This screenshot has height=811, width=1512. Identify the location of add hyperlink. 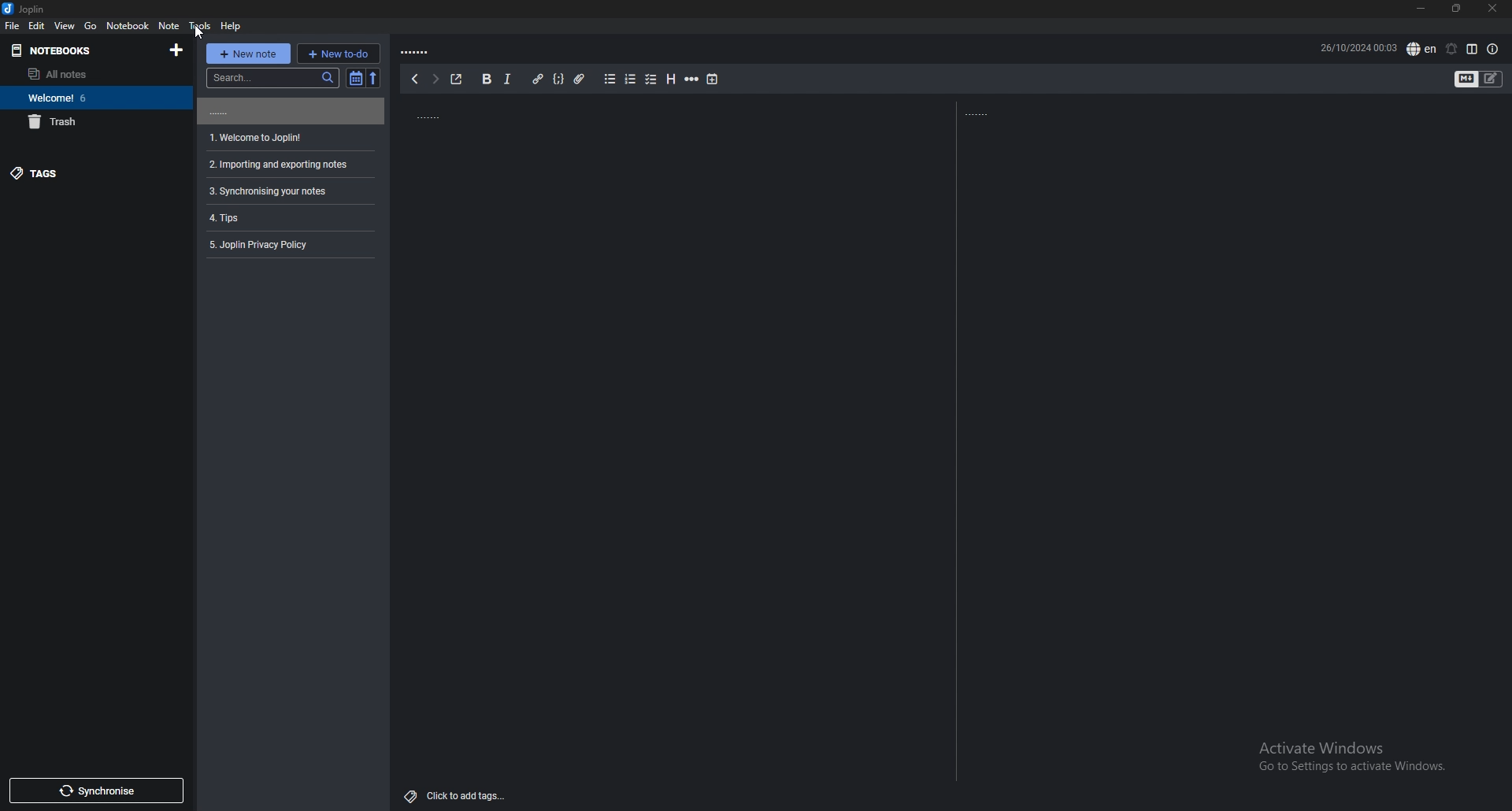
(539, 79).